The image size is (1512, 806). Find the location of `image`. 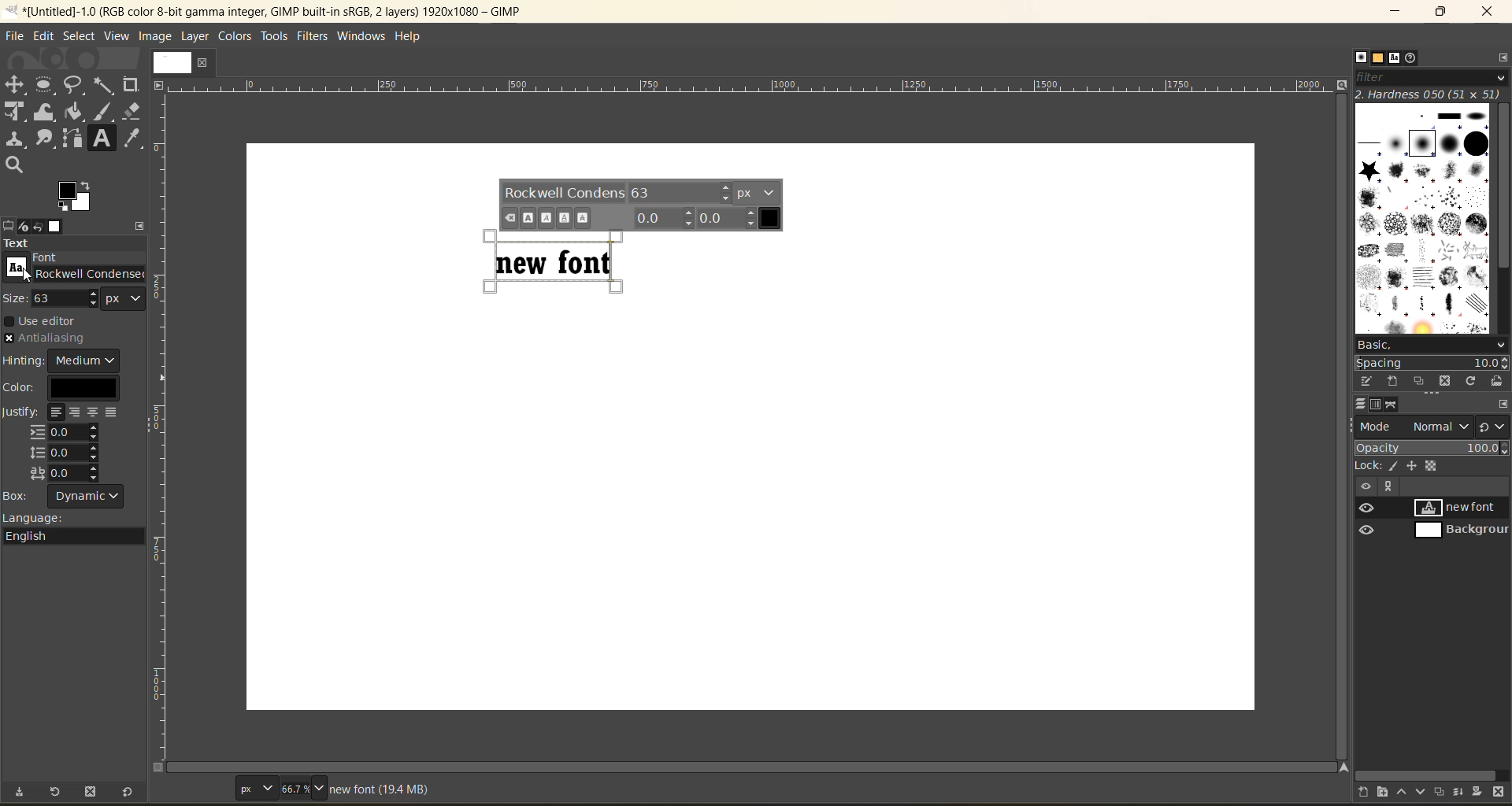

image is located at coordinates (157, 36).